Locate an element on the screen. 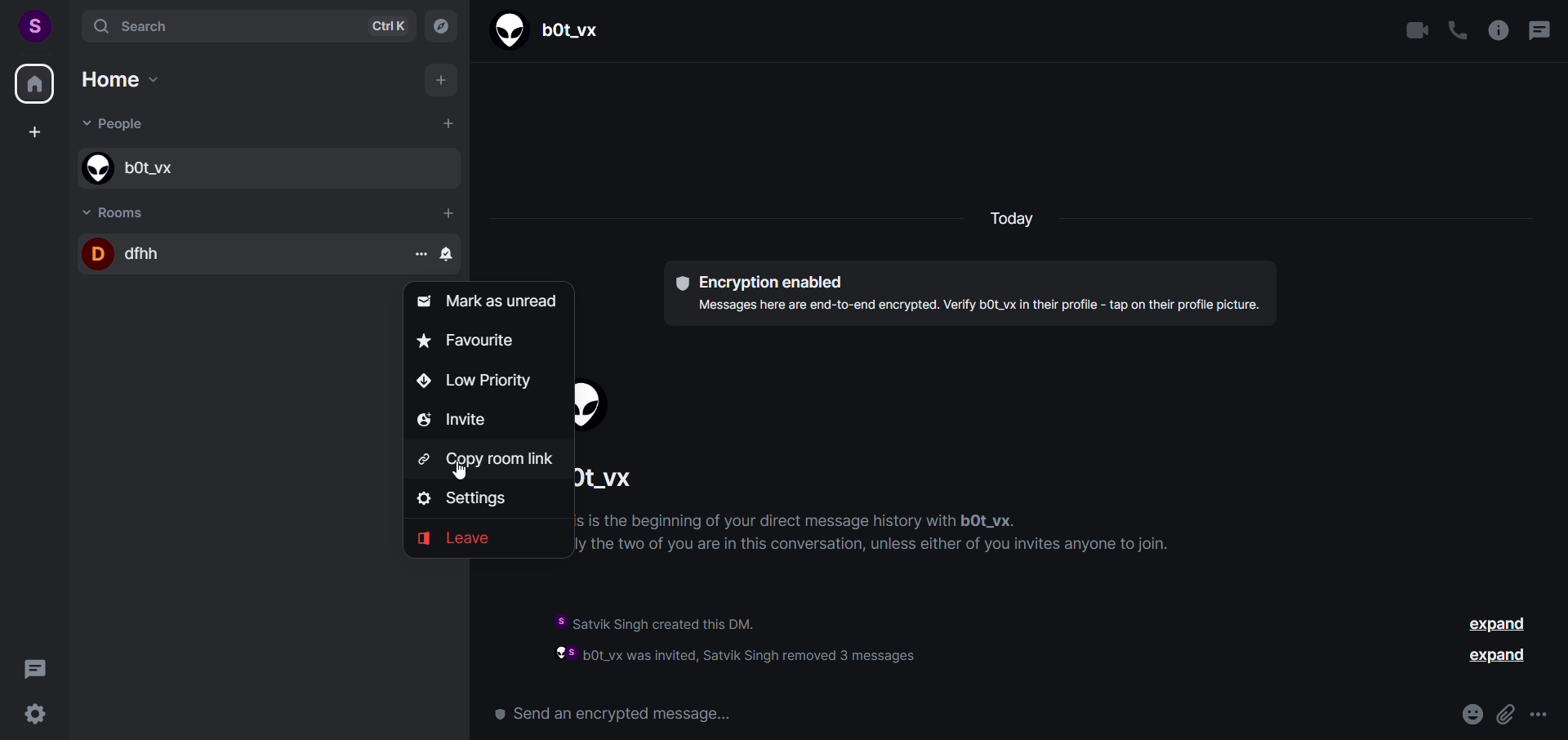  quick setting is located at coordinates (34, 714).